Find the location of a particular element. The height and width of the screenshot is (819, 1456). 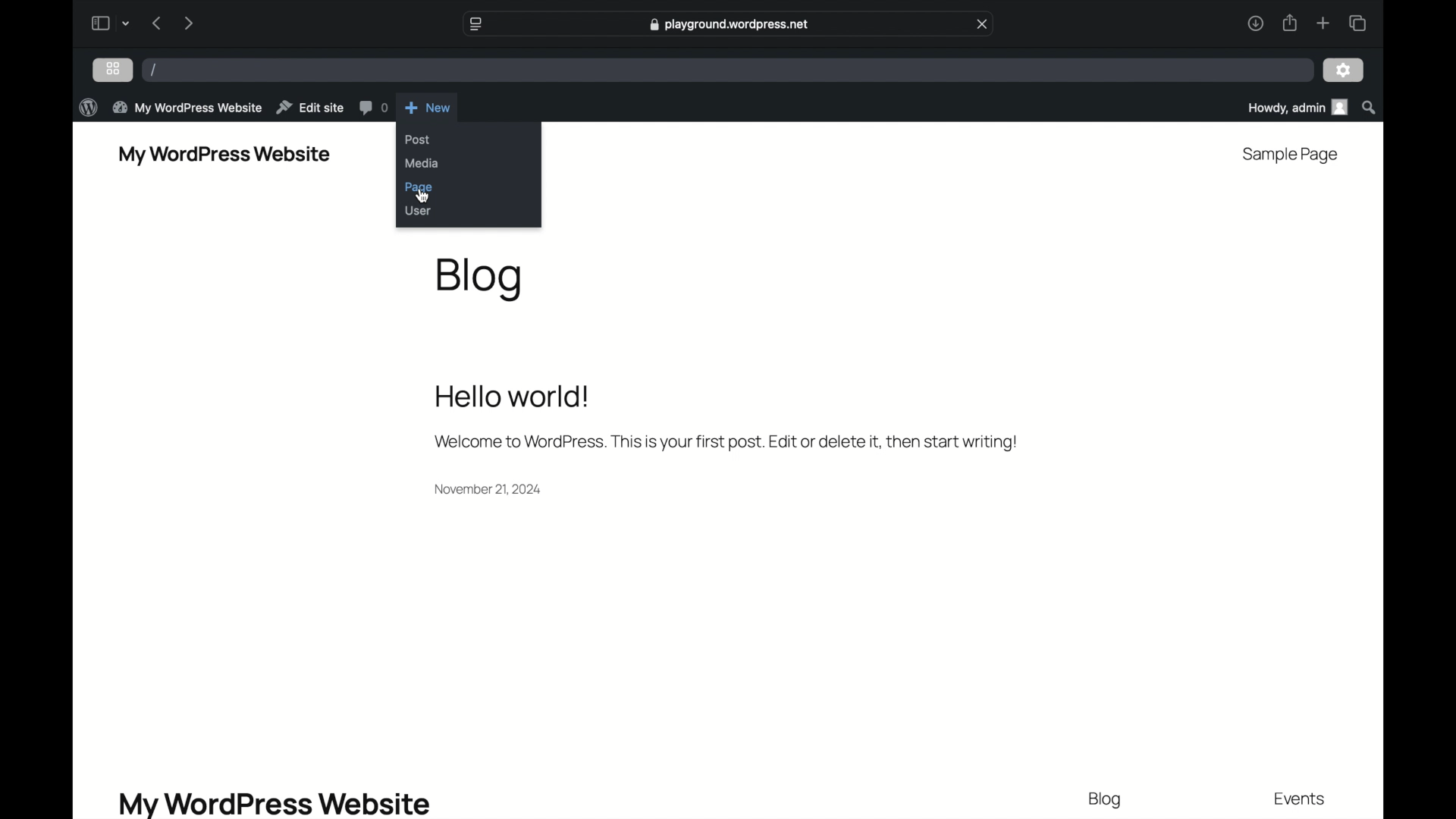

downloads is located at coordinates (1255, 24).